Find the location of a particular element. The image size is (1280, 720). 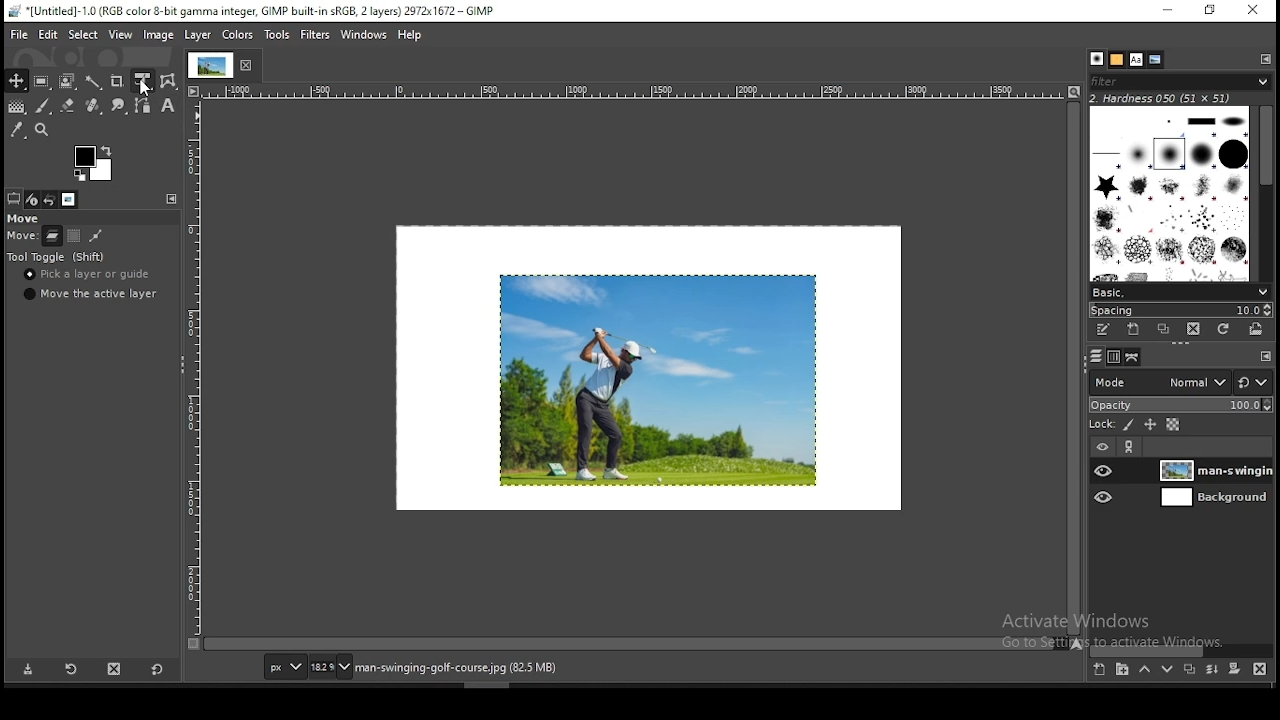

text tool is located at coordinates (168, 107).